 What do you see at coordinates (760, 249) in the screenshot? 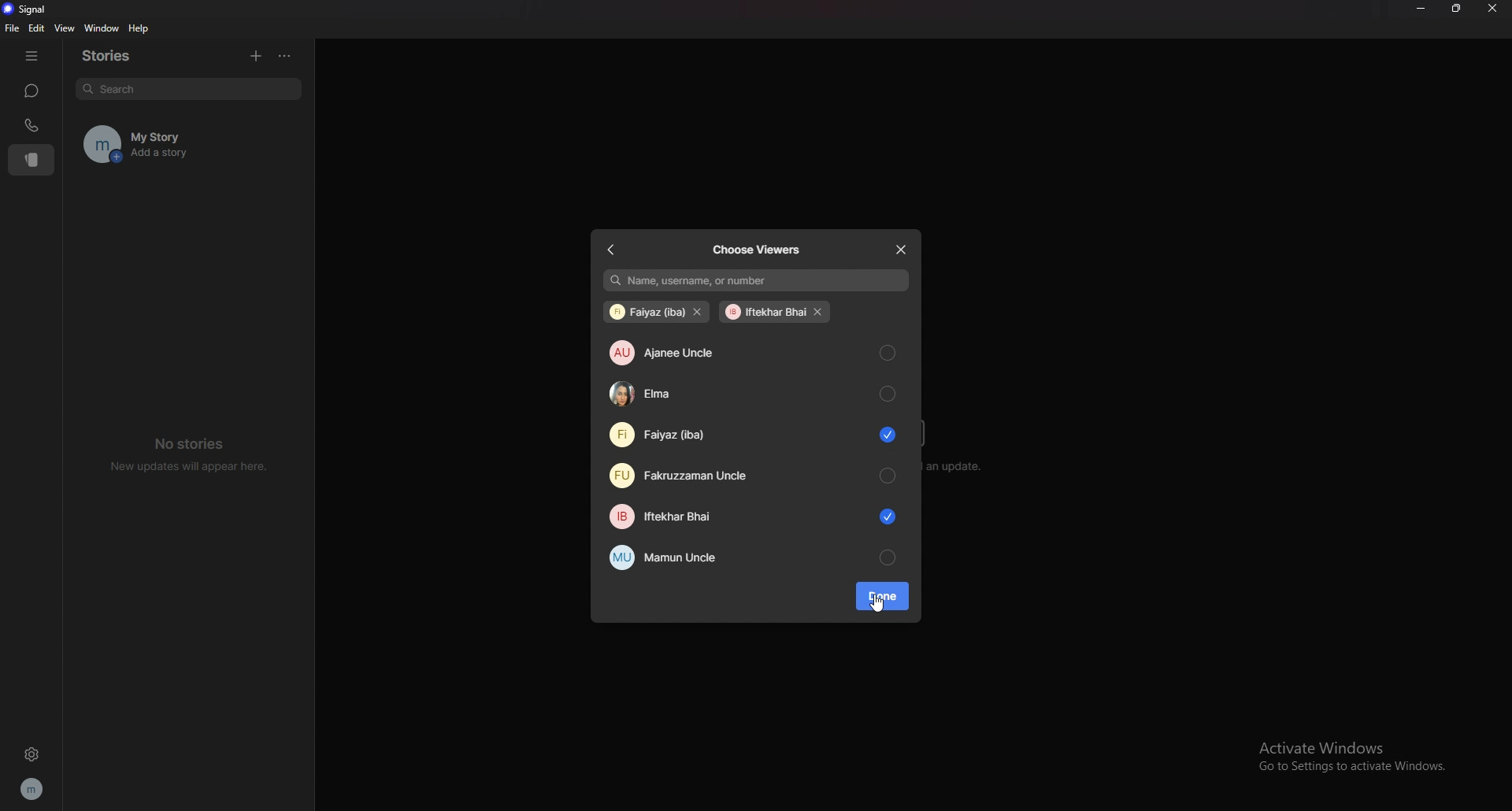
I see `choose viewers` at bounding box center [760, 249].